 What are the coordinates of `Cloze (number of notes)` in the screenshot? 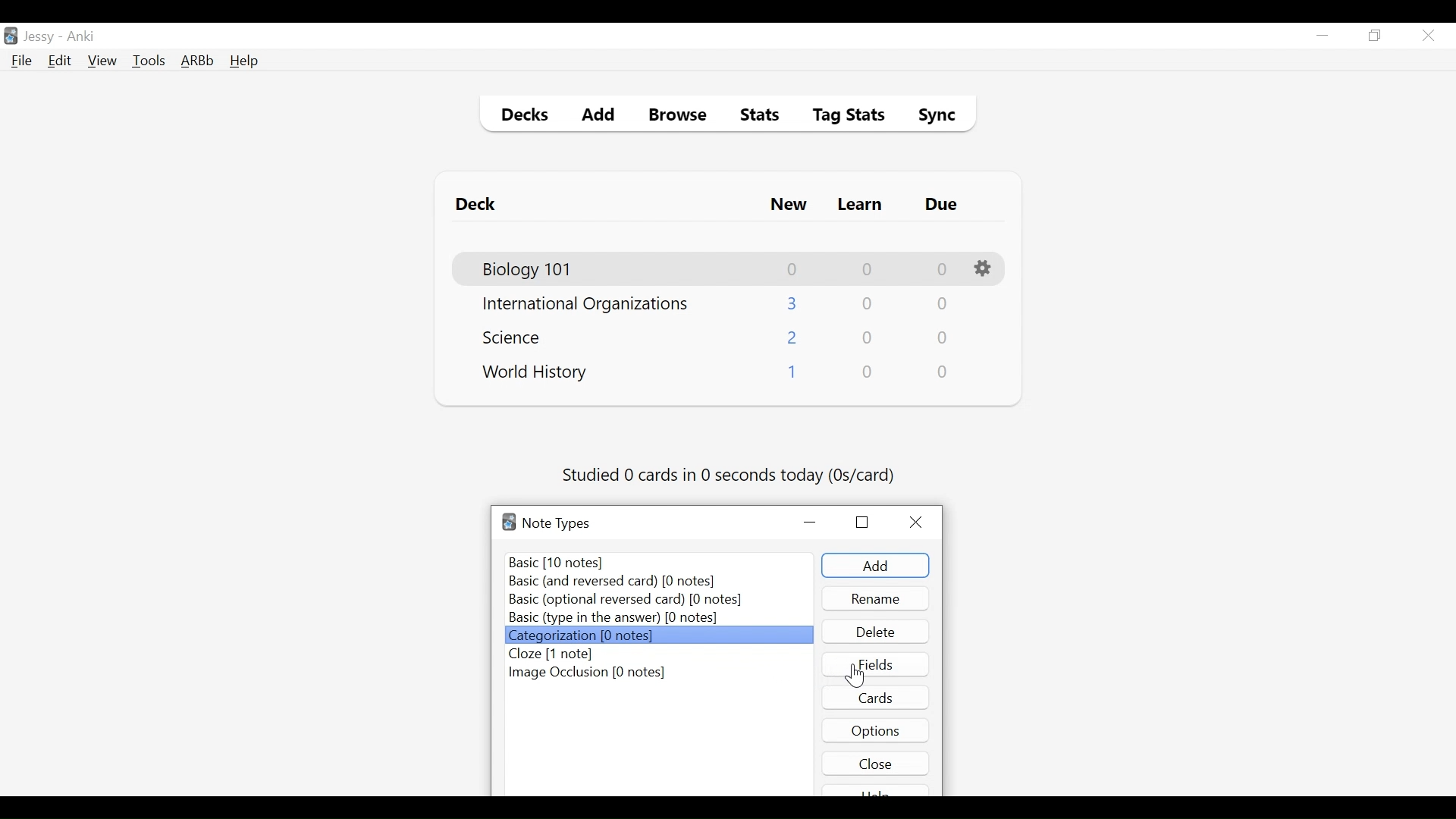 It's located at (556, 654).